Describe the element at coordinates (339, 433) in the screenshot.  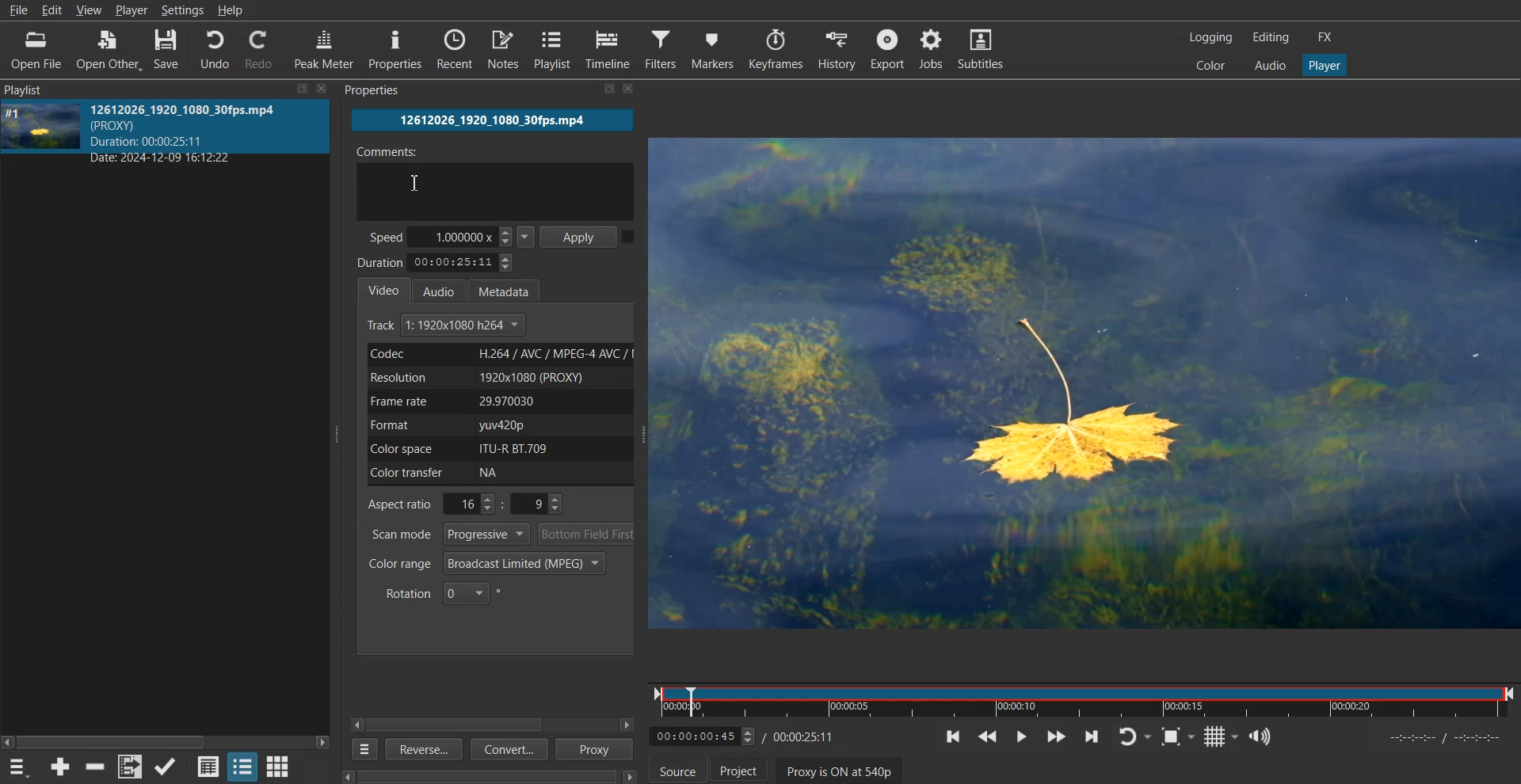
I see `Drag handle` at that location.